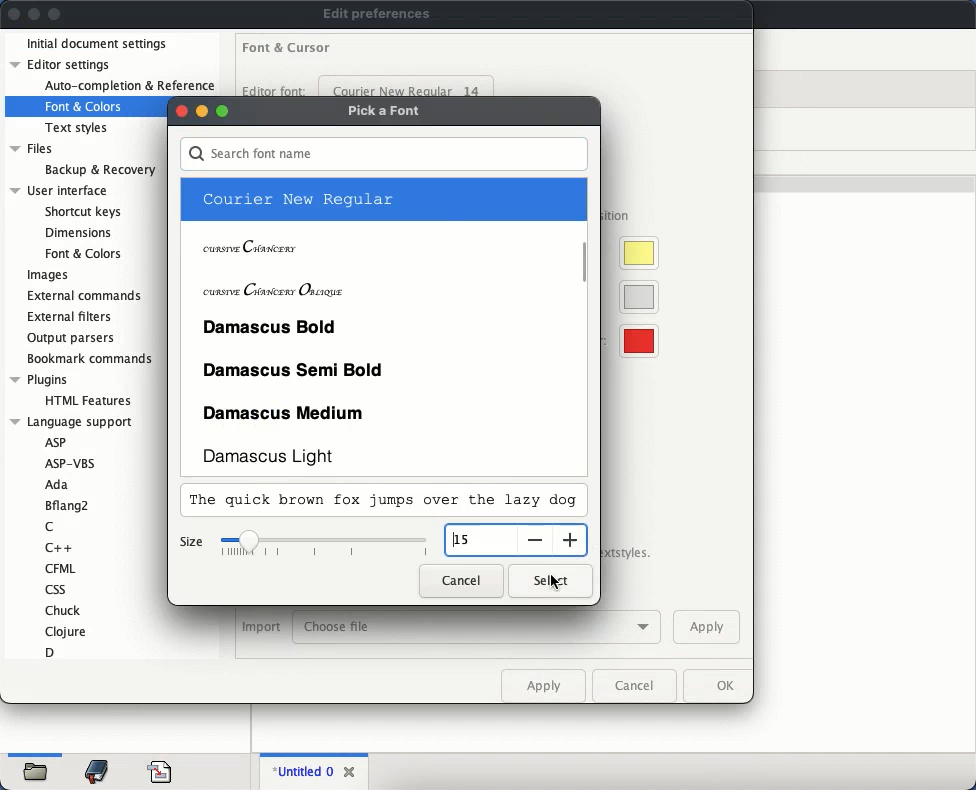  I want to click on cursor, so click(555, 583).